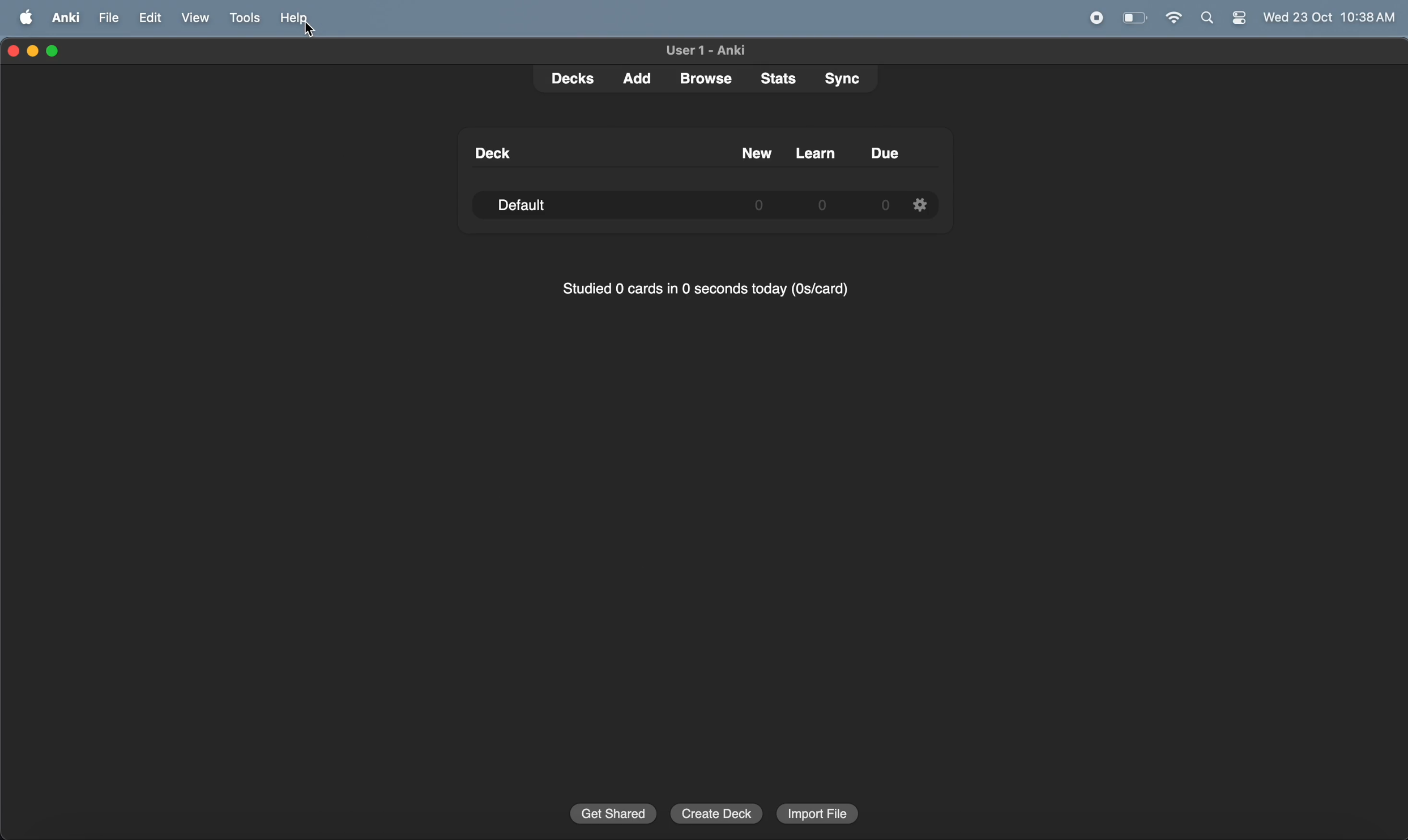 The height and width of the screenshot is (840, 1408). I want to click on deck, so click(567, 80).